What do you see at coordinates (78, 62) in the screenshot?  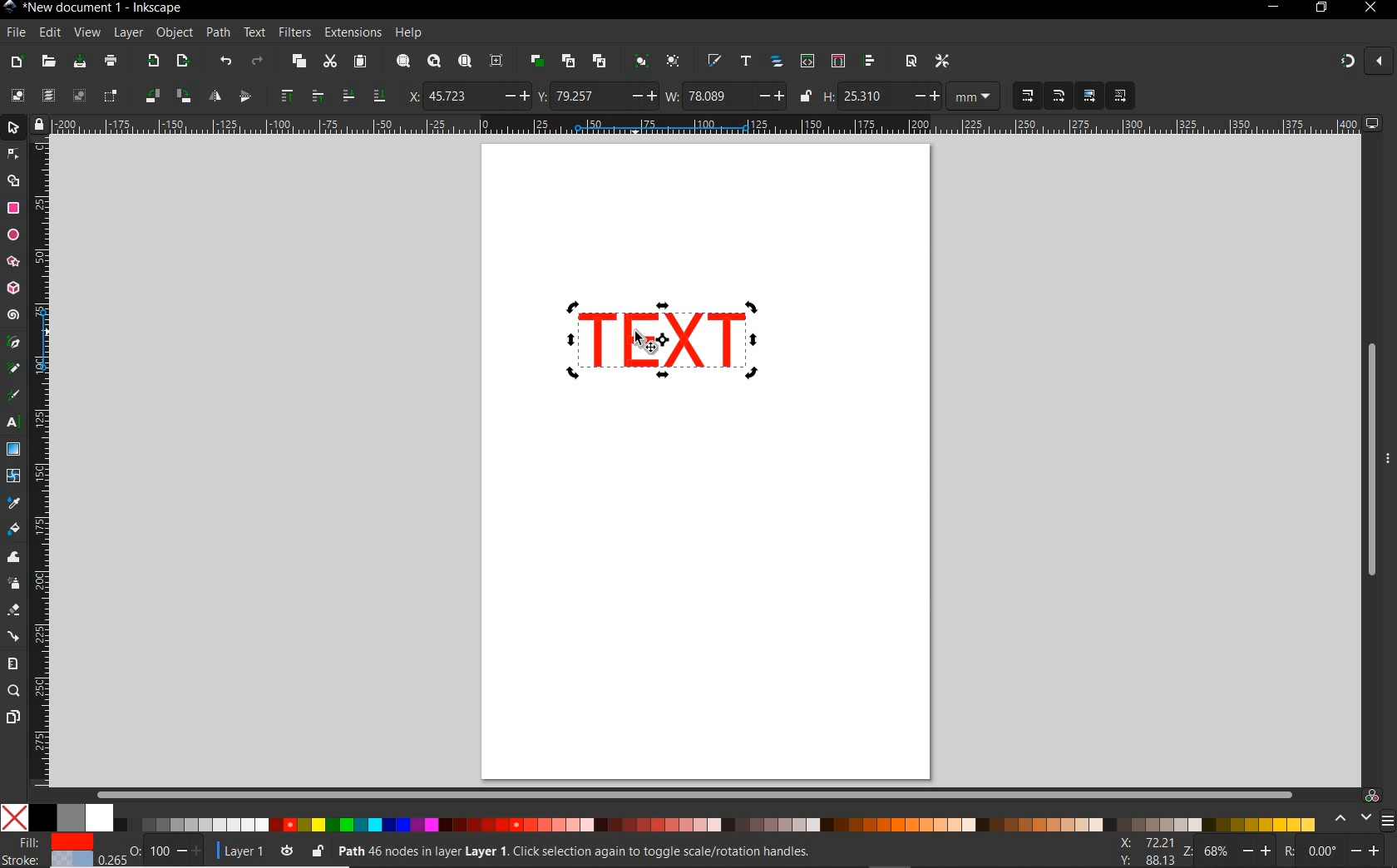 I see `SAVE` at bounding box center [78, 62].